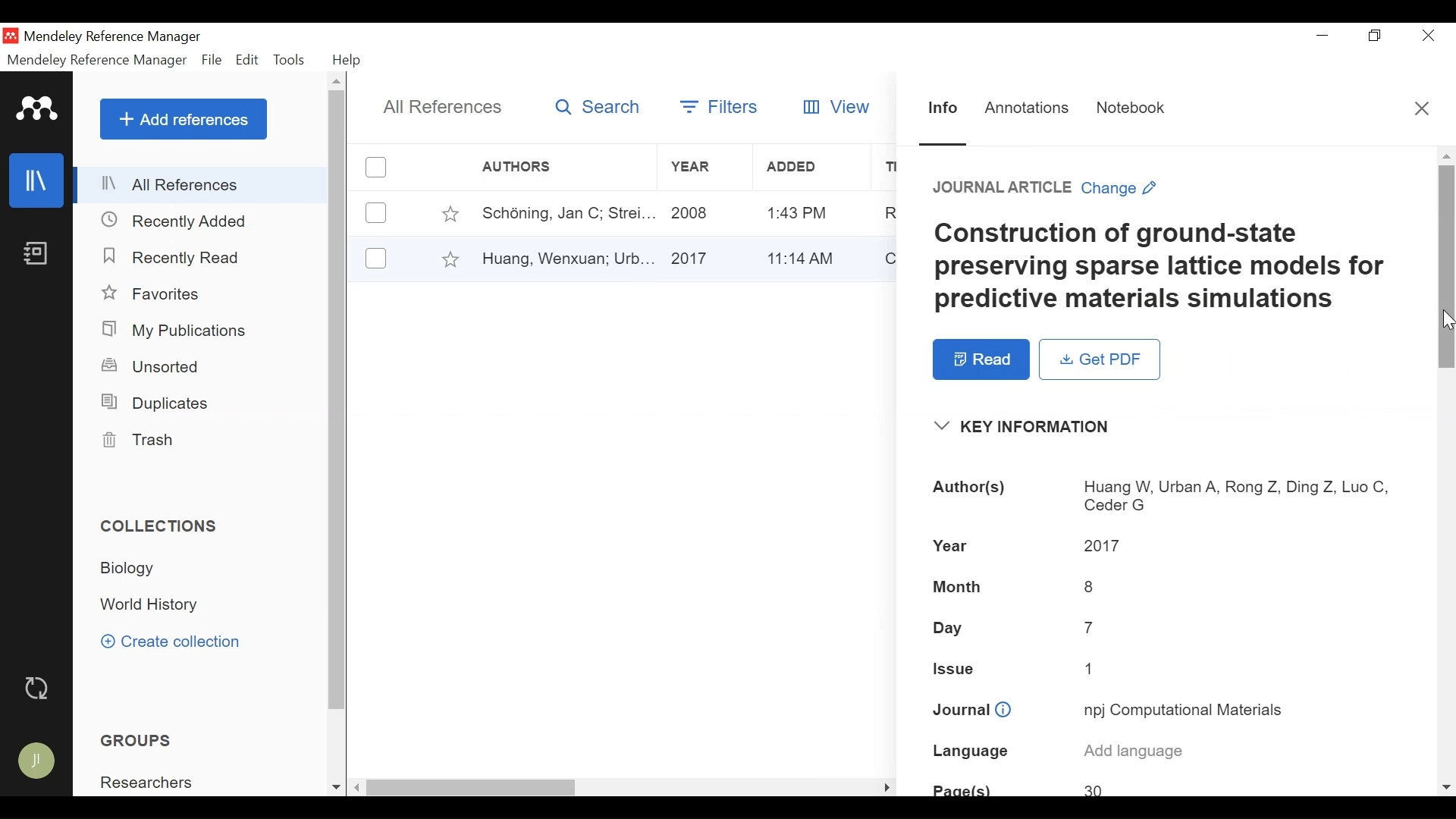  Describe the element at coordinates (1166, 585) in the screenshot. I see `Month` at that location.